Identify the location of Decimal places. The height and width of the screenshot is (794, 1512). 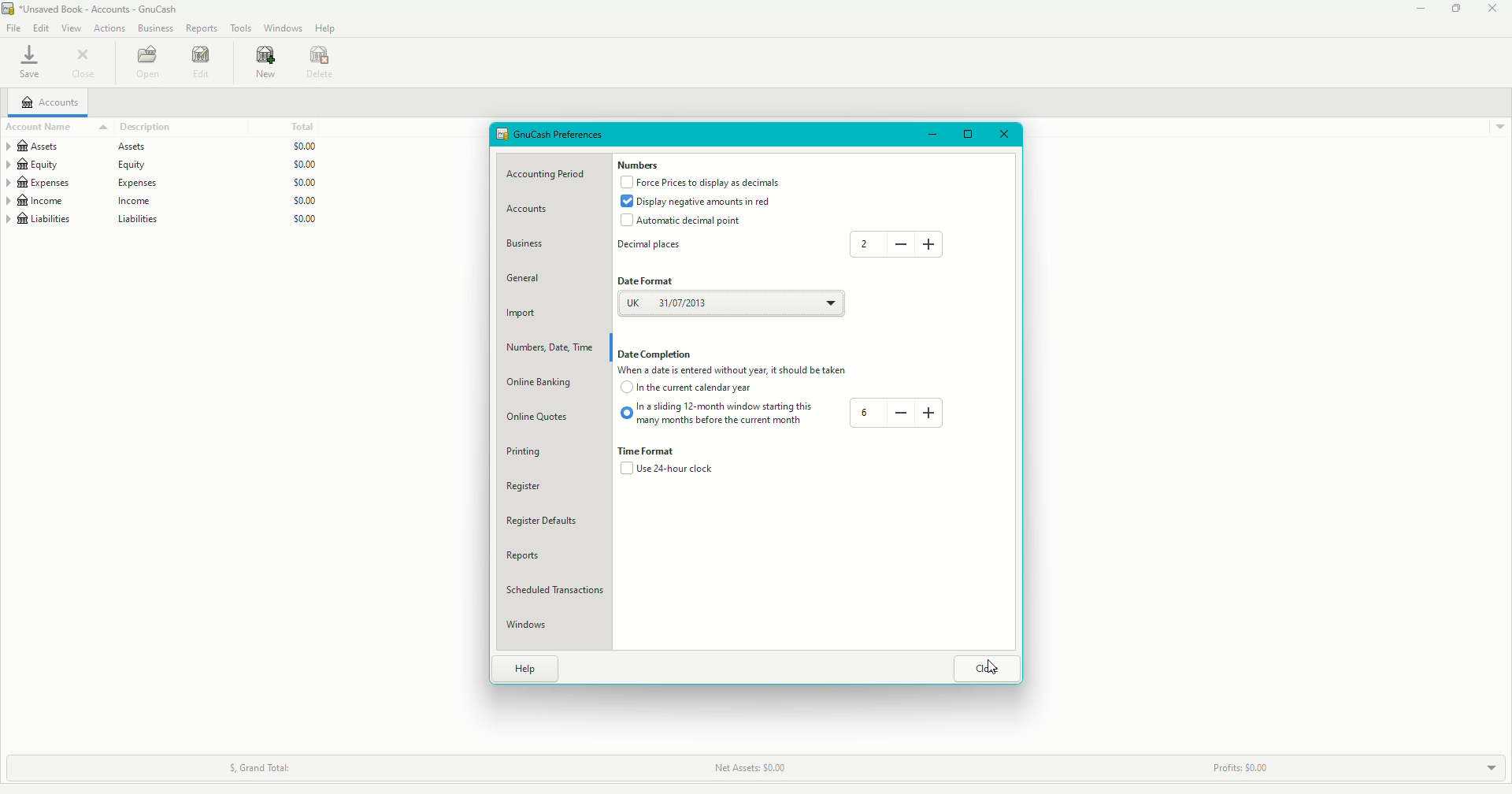
(650, 247).